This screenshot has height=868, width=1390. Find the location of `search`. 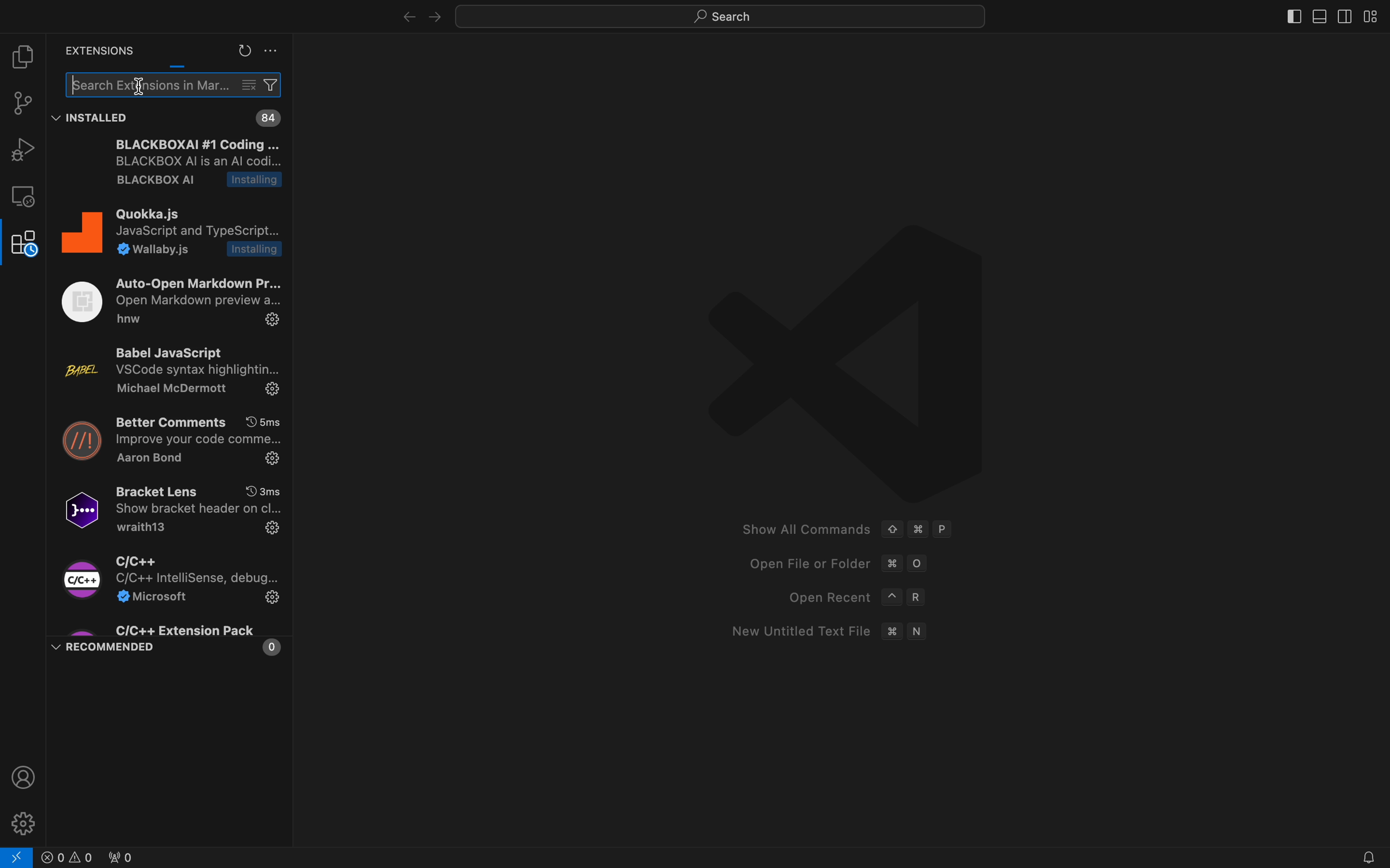

search is located at coordinates (711, 18).